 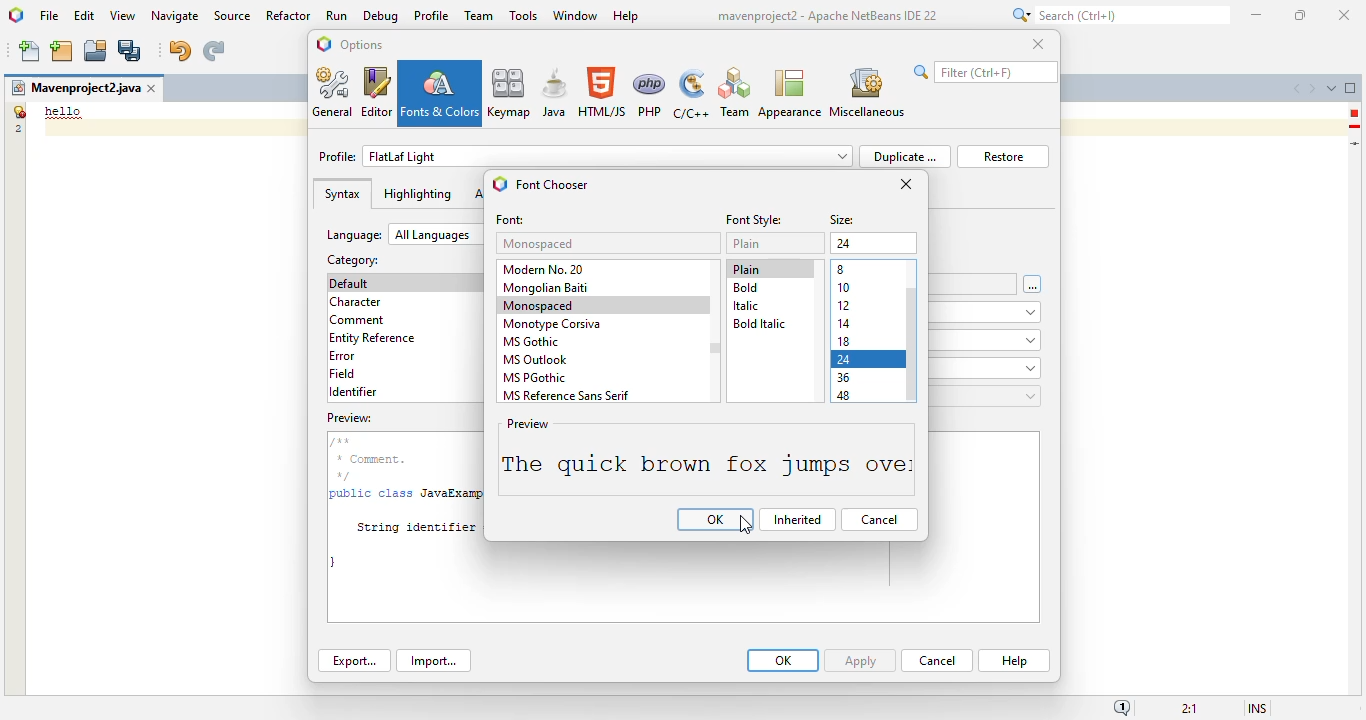 What do you see at coordinates (64, 111) in the screenshot?
I see `demo text` at bounding box center [64, 111].